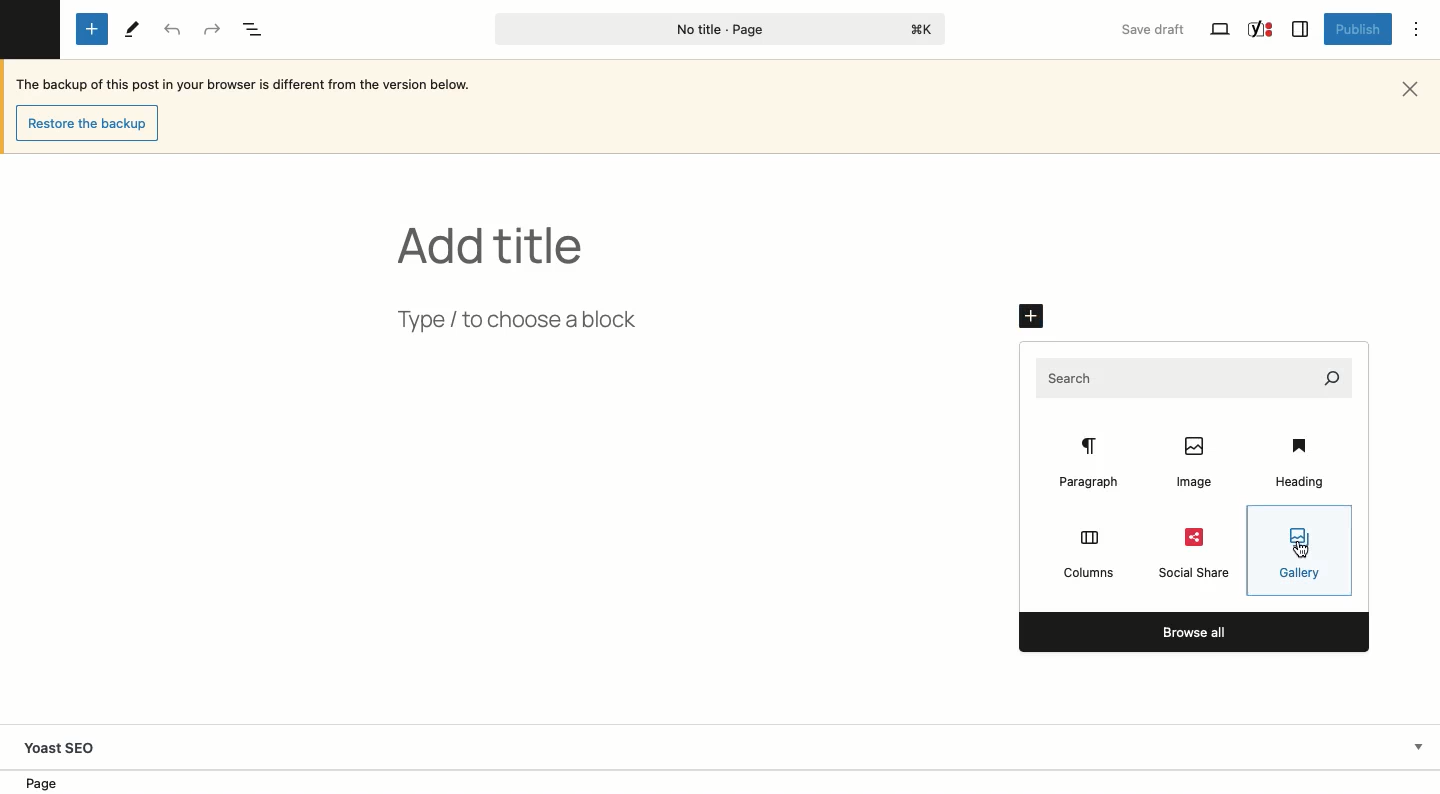  What do you see at coordinates (497, 245) in the screenshot?
I see `Title` at bounding box center [497, 245].